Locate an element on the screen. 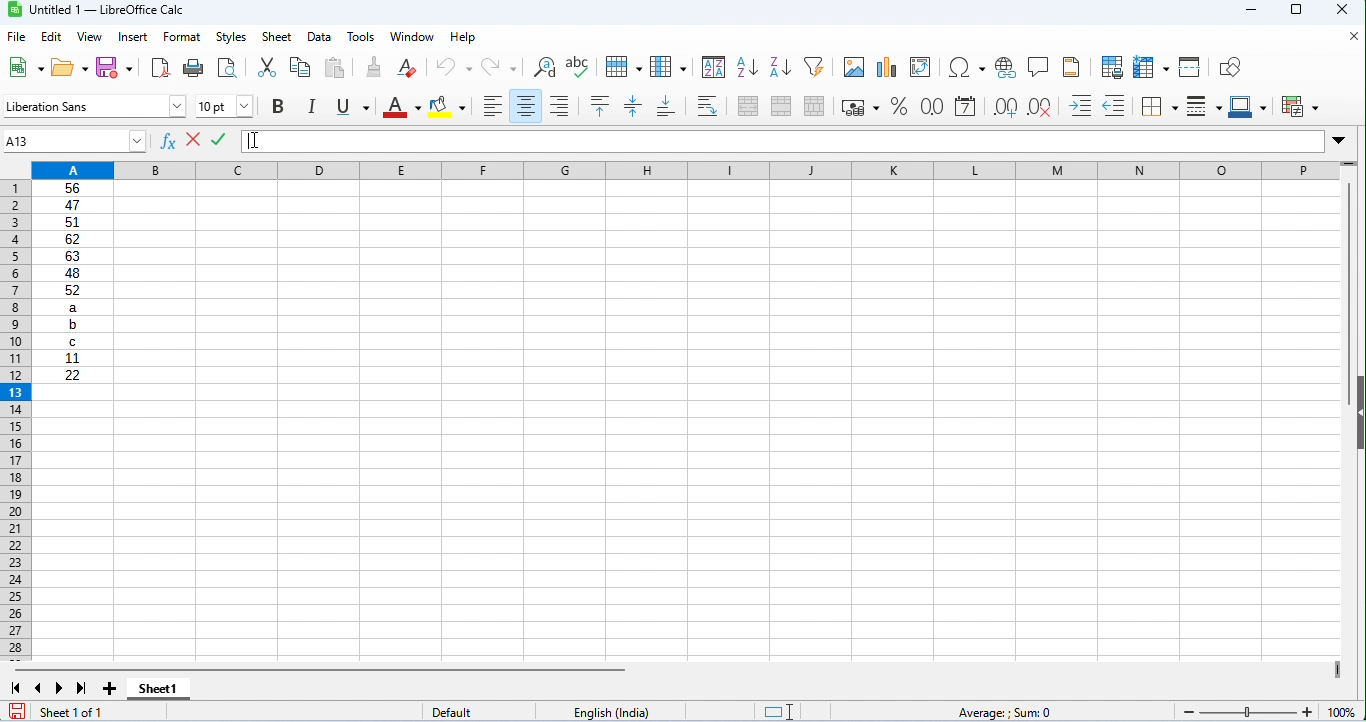 This screenshot has height=722, width=1366. how draw functions is located at coordinates (1232, 67).